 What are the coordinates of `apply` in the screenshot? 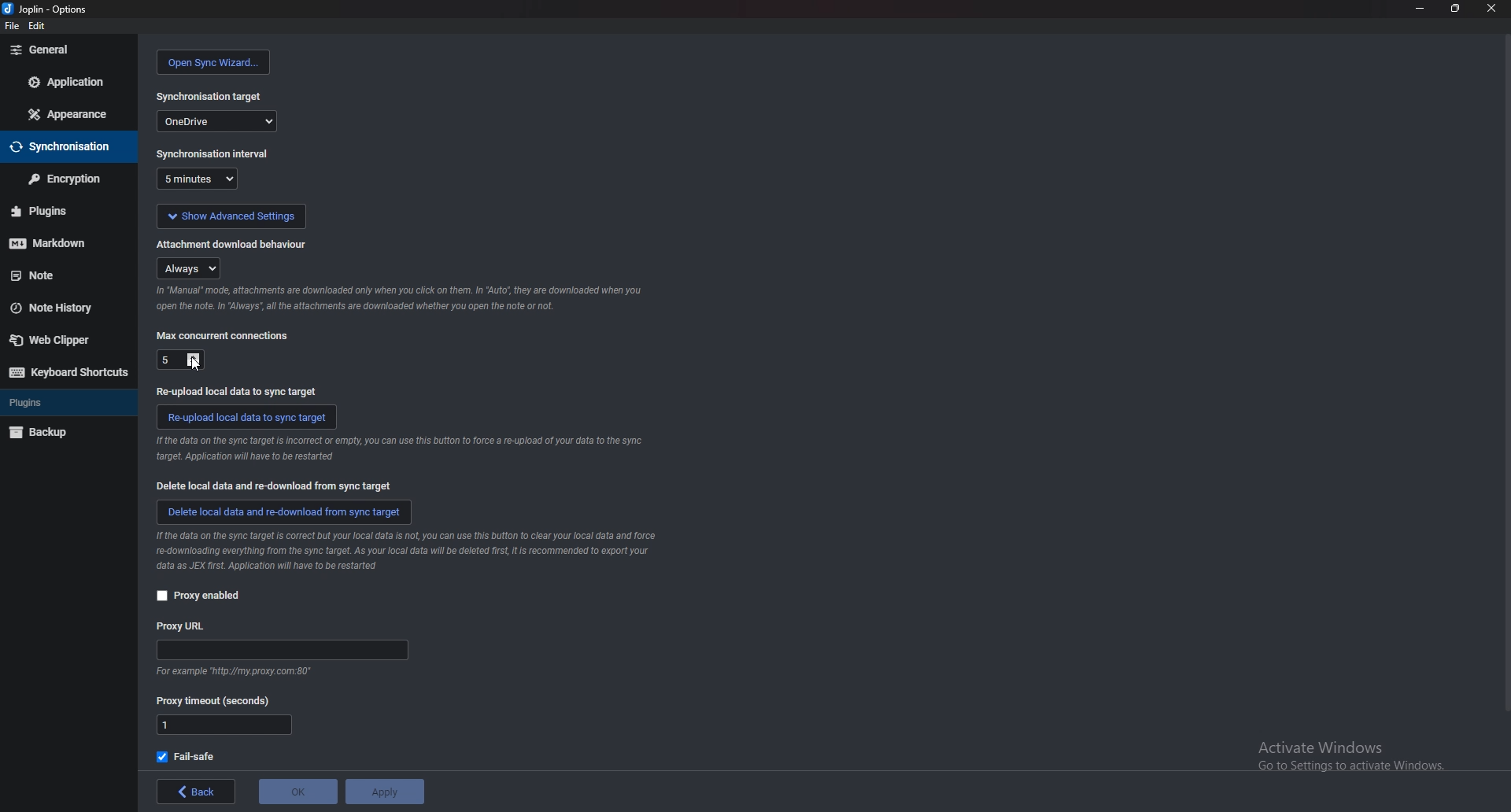 It's located at (385, 792).